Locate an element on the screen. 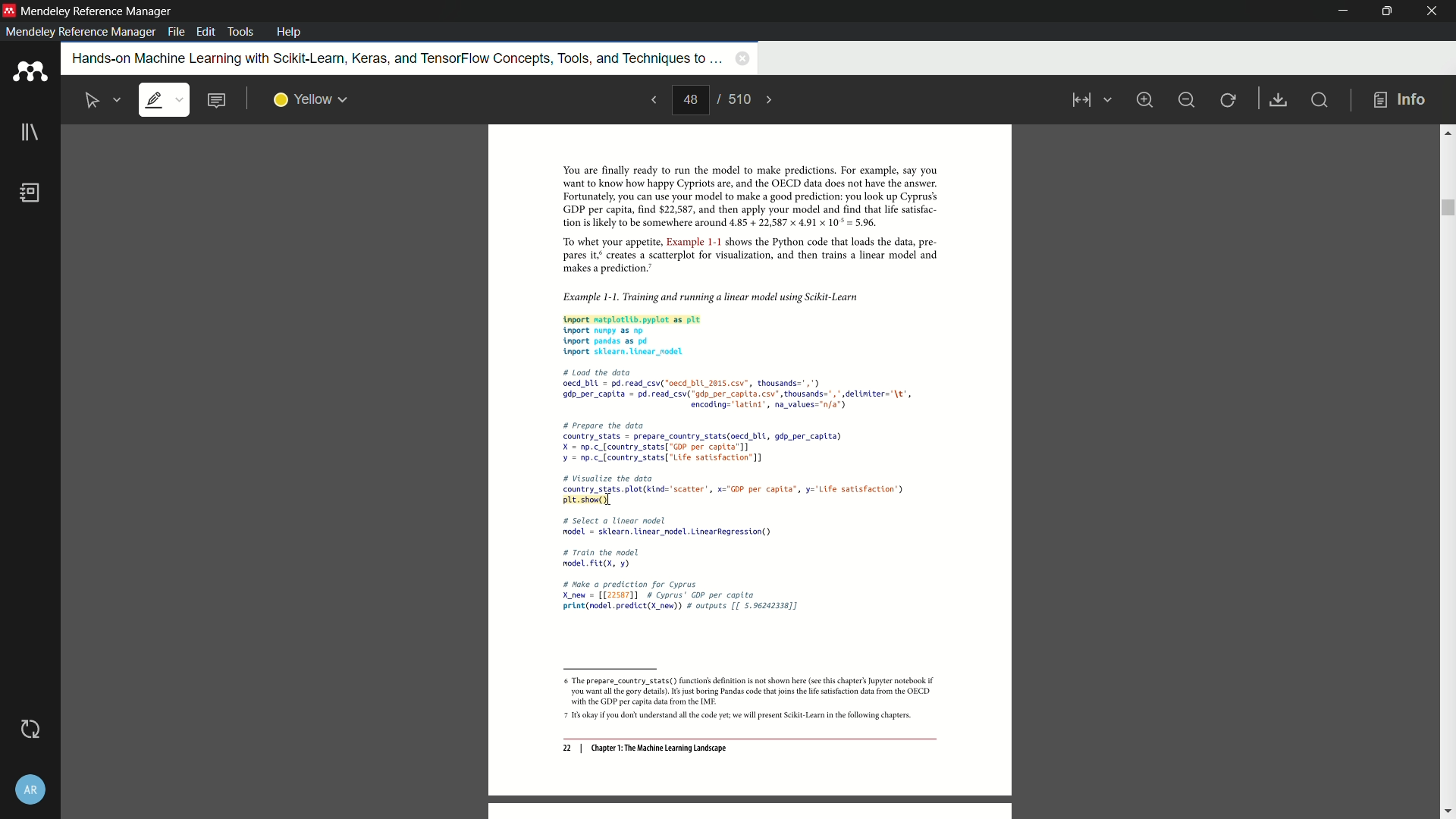 The height and width of the screenshot is (819, 1456). zoom in is located at coordinates (1144, 99).